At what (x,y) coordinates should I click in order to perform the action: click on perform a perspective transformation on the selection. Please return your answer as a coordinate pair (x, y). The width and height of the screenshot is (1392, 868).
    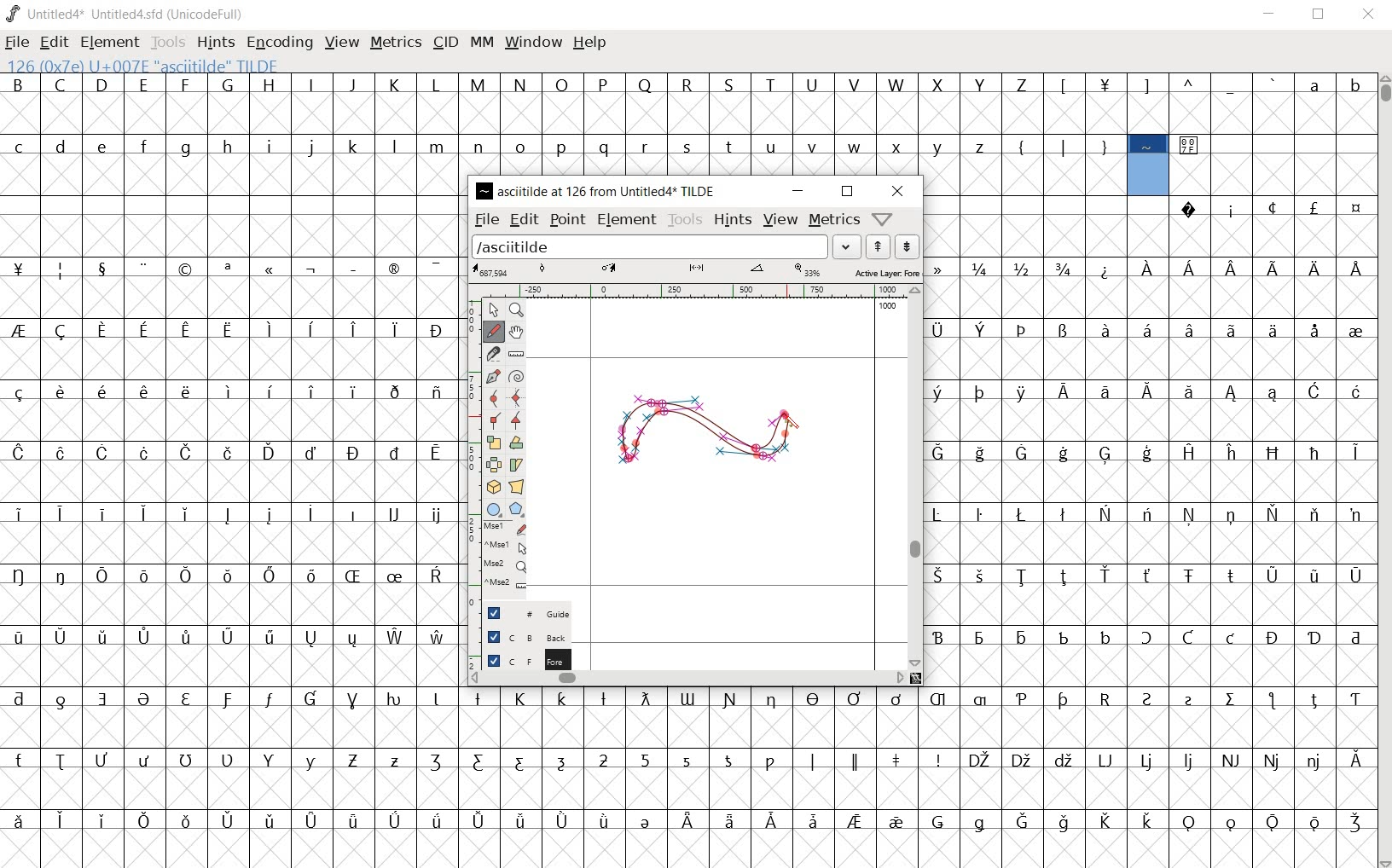
    Looking at the image, I should click on (518, 487).